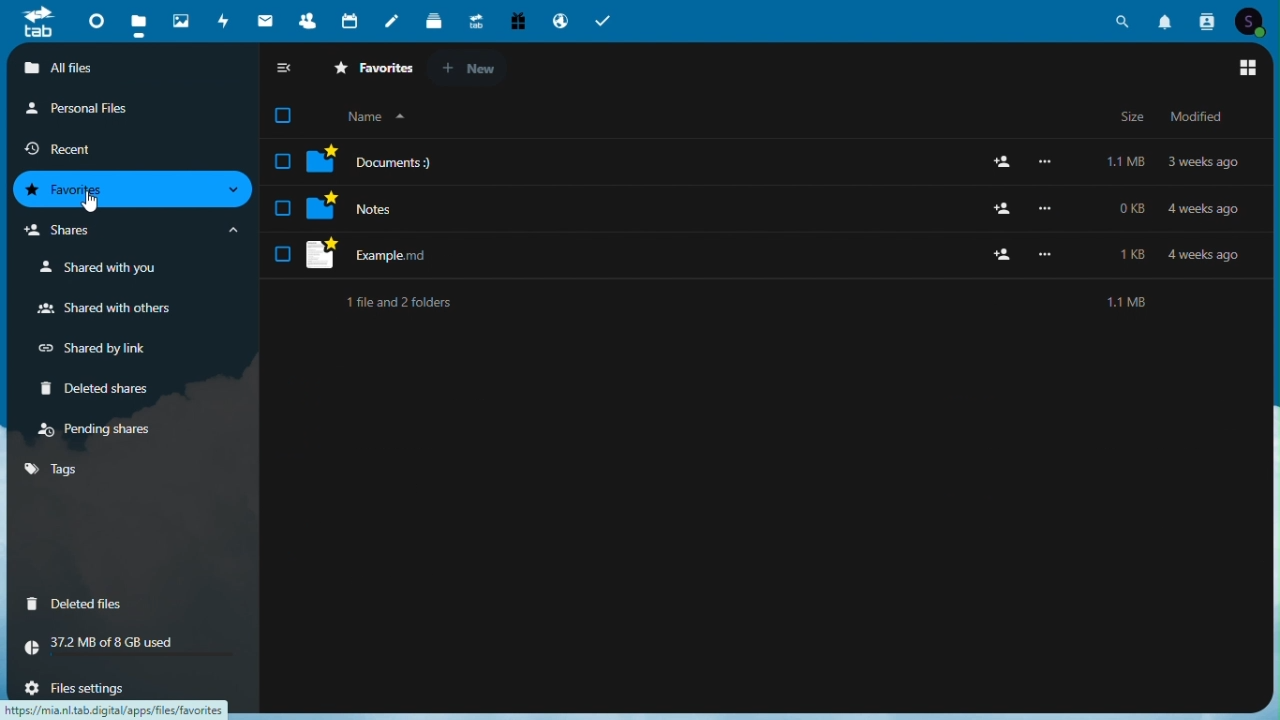 This screenshot has width=1280, height=720. What do you see at coordinates (117, 710) in the screenshot?
I see `URL` at bounding box center [117, 710].